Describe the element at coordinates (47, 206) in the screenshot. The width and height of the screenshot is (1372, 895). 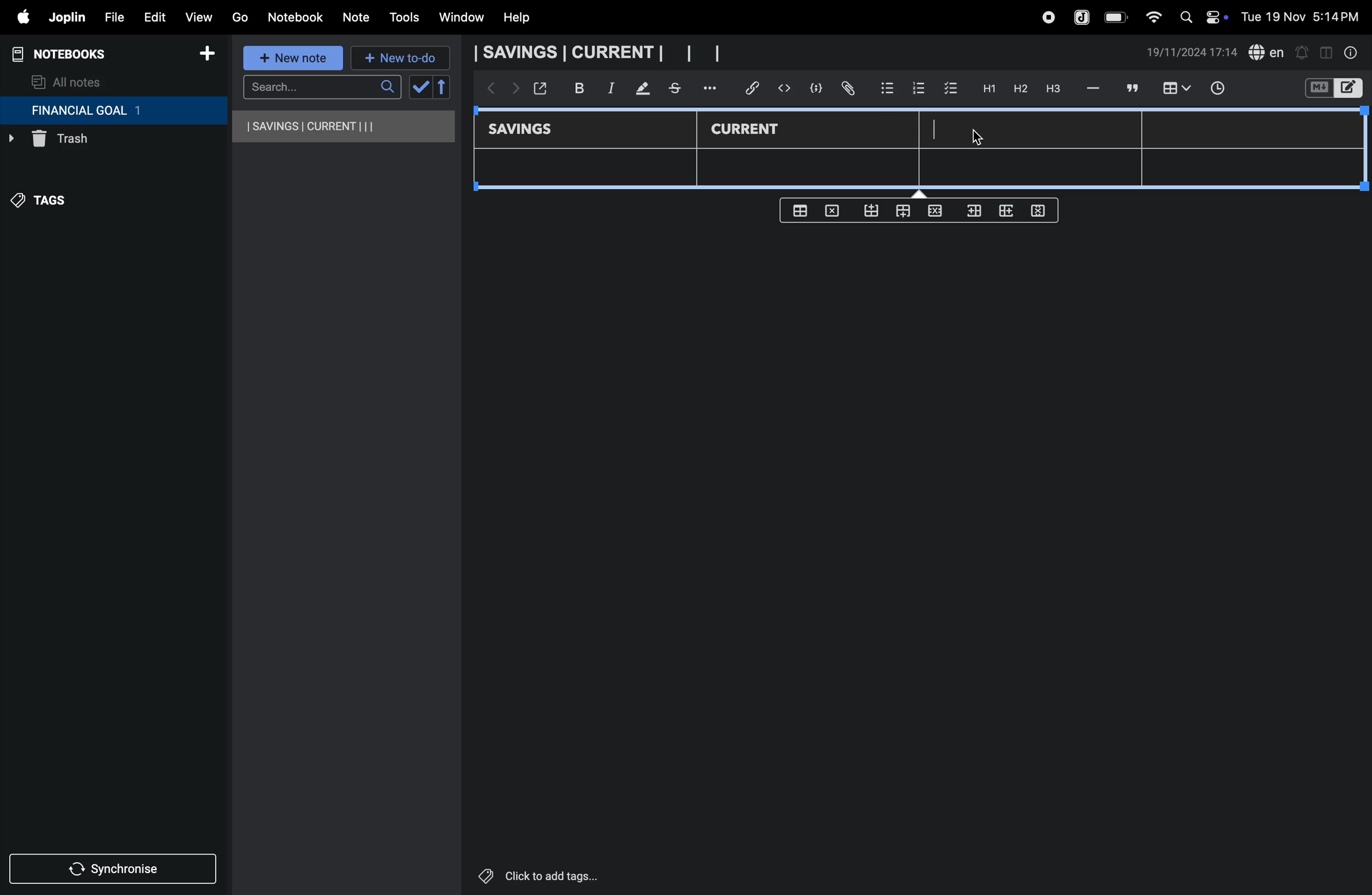
I see `tags` at that location.